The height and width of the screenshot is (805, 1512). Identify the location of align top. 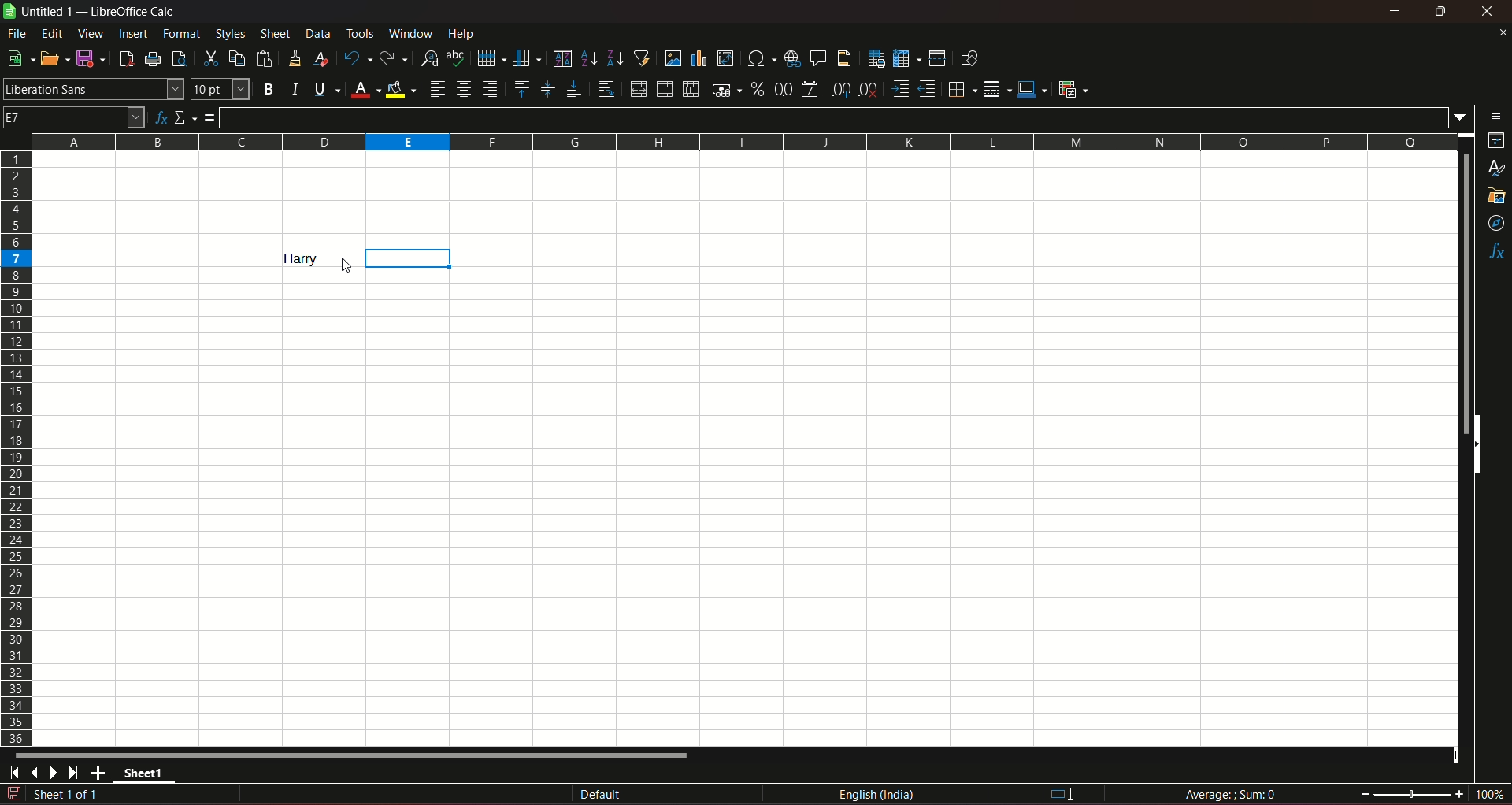
(521, 88).